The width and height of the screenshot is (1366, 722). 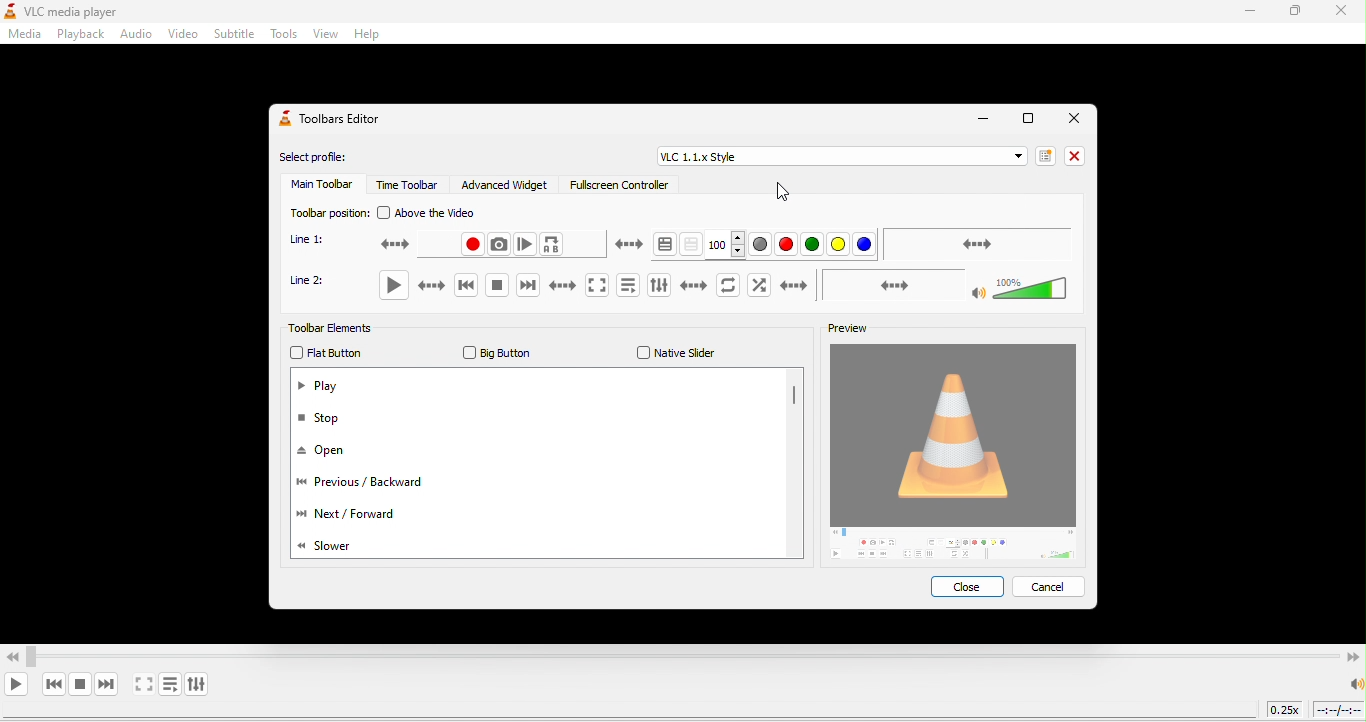 What do you see at coordinates (539, 287) in the screenshot?
I see `next media` at bounding box center [539, 287].